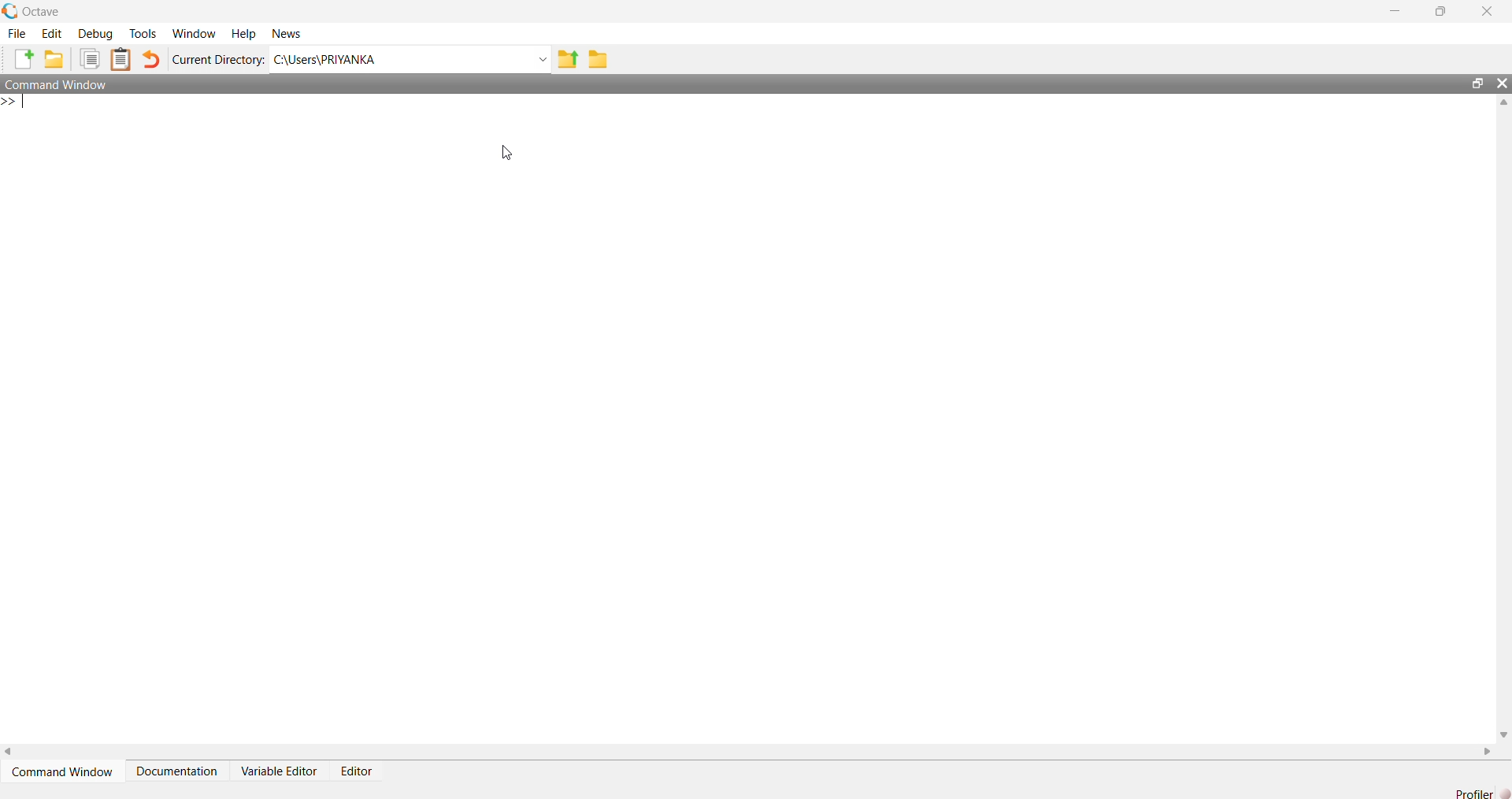 The width and height of the screenshot is (1512, 799). Describe the element at coordinates (362, 770) in the screenshot. I see `Editor` at that location.